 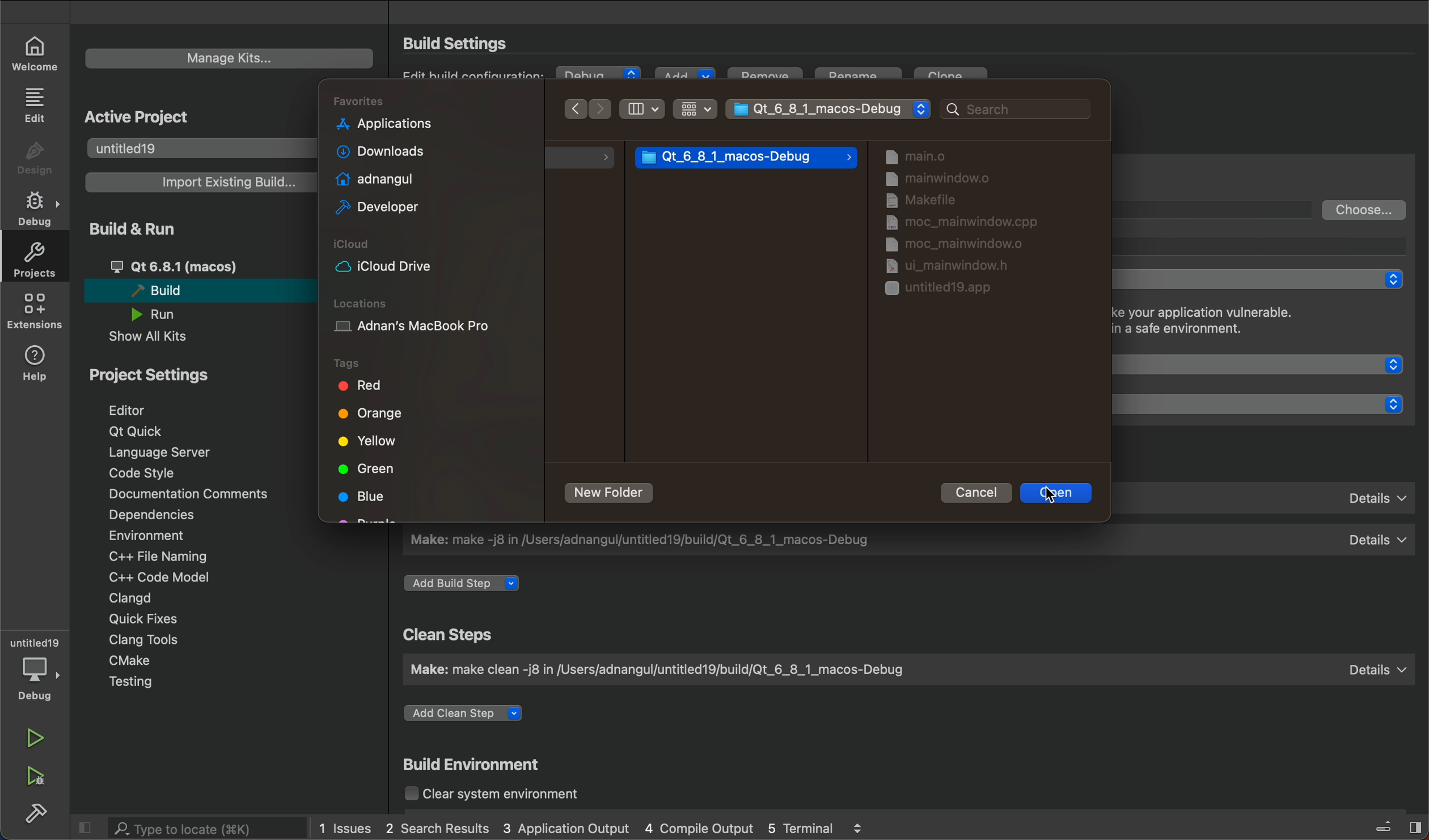 What do you see at coordinates (936, 181) in the screenshot?
I see `mainwindow` at bounding box center [936, 181].